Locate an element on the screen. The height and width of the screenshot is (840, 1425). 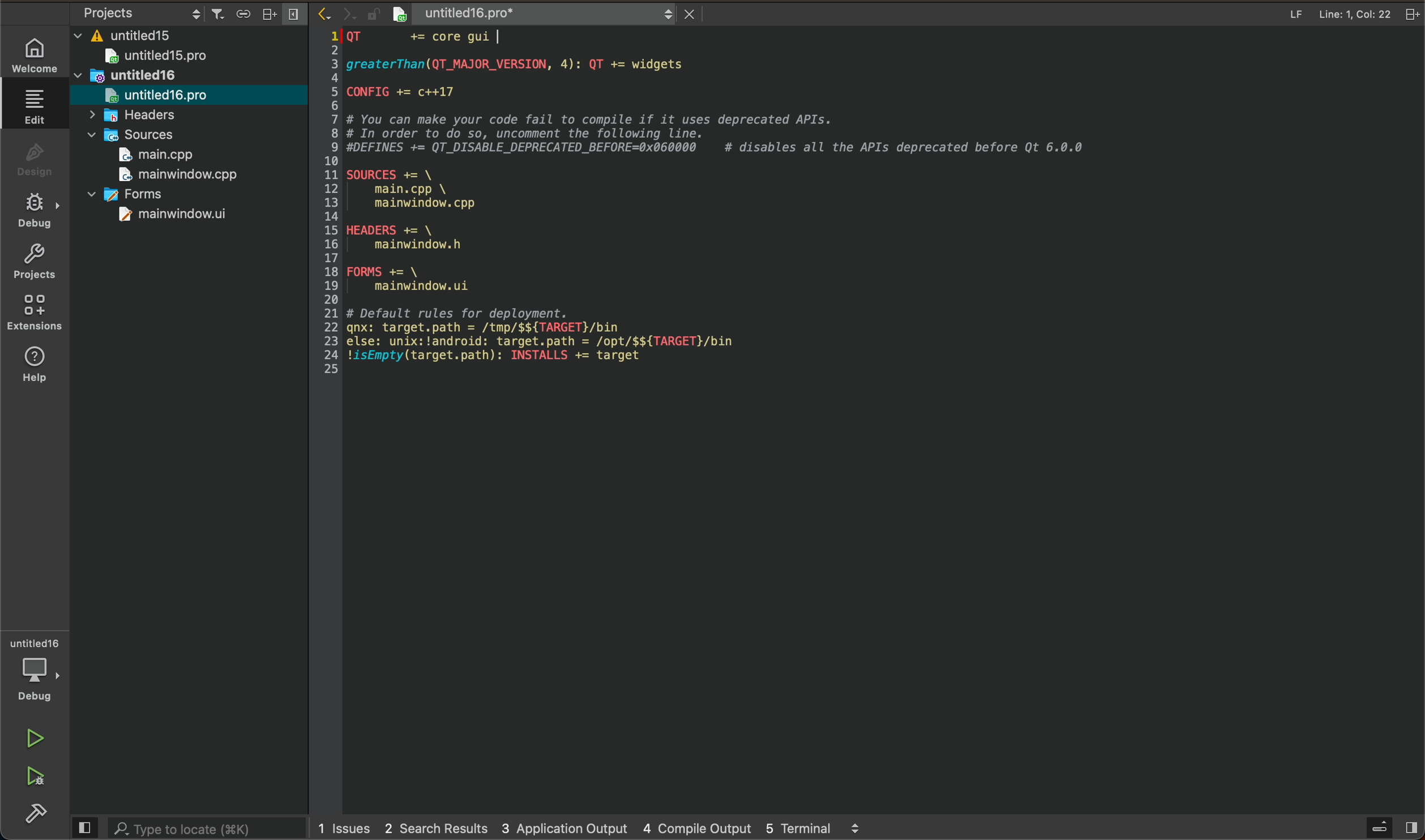
main.cpp is located at coordinates (160, 156).